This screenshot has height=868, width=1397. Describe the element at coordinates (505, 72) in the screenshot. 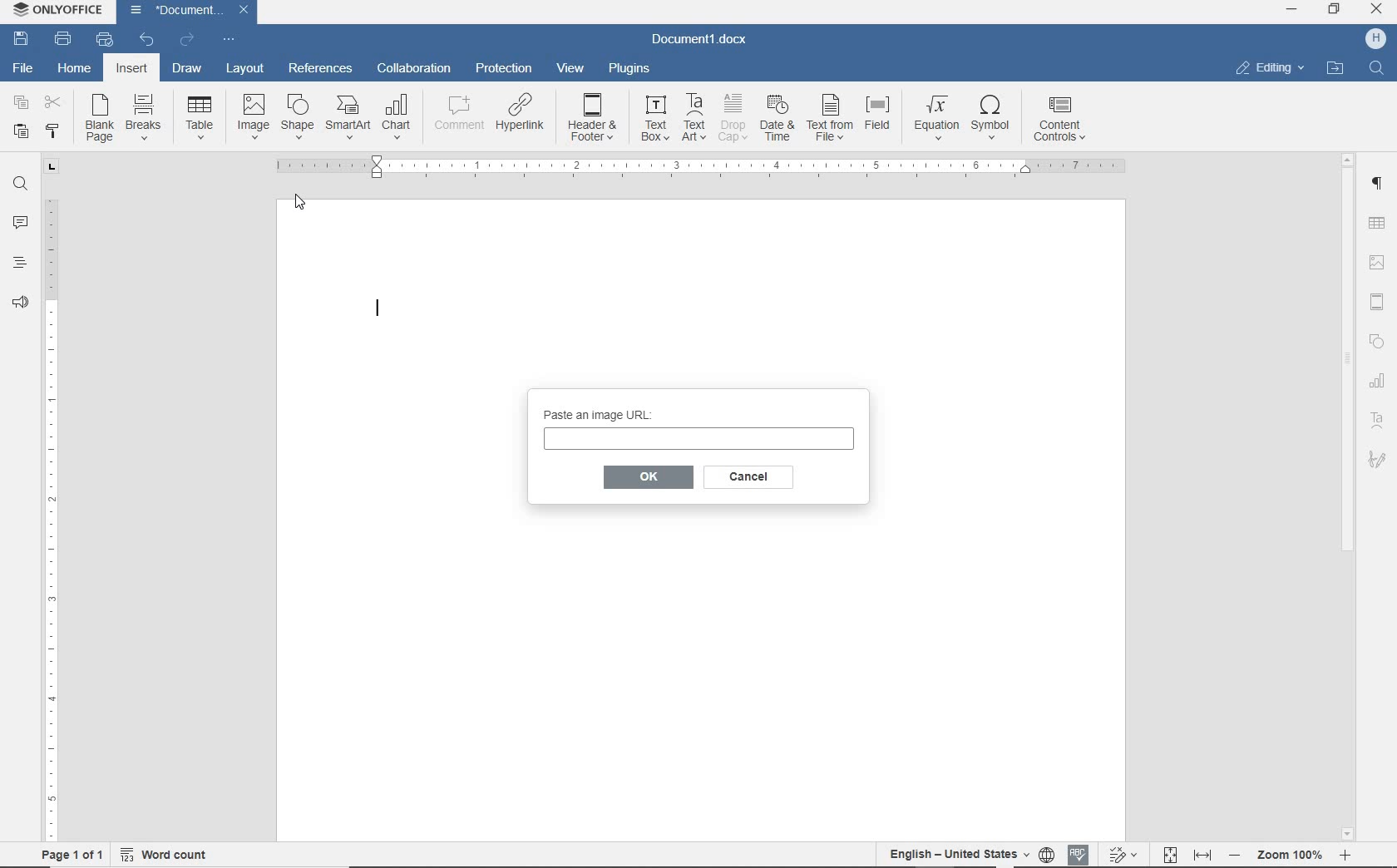

I see `protection` at that location.